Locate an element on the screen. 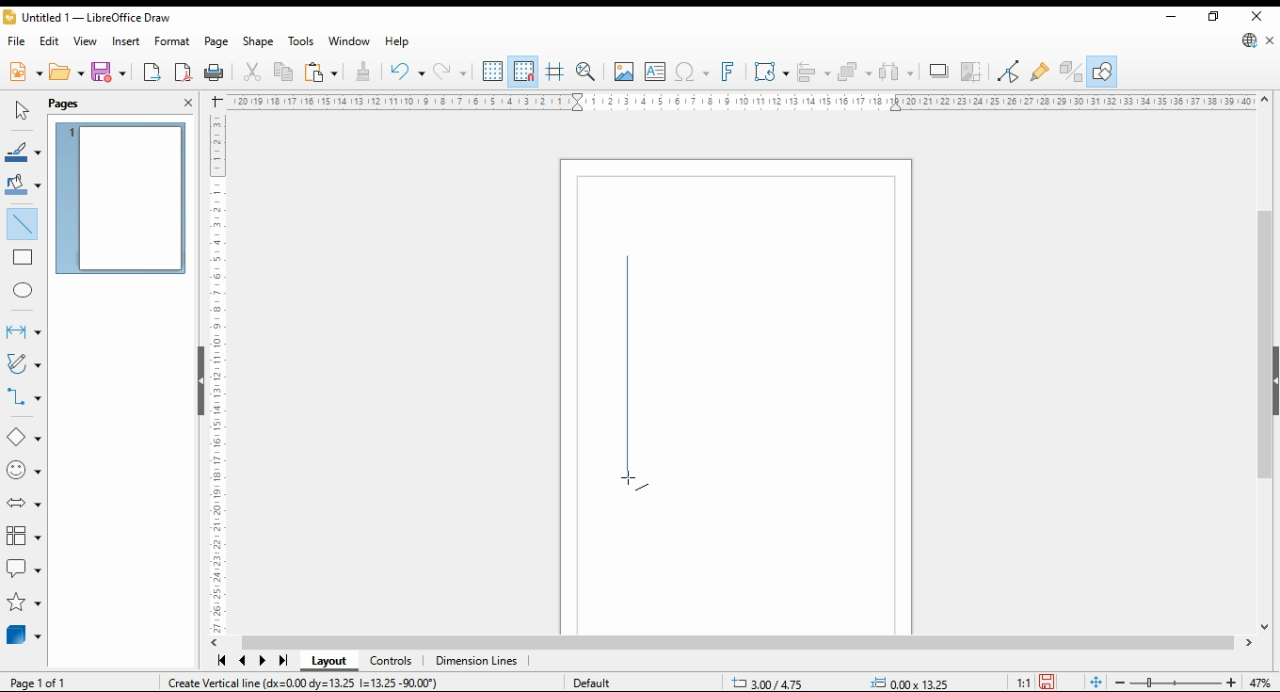 This screenshot has width=1280, height=692. libreoffice update is located at coordinates (1248, 41).